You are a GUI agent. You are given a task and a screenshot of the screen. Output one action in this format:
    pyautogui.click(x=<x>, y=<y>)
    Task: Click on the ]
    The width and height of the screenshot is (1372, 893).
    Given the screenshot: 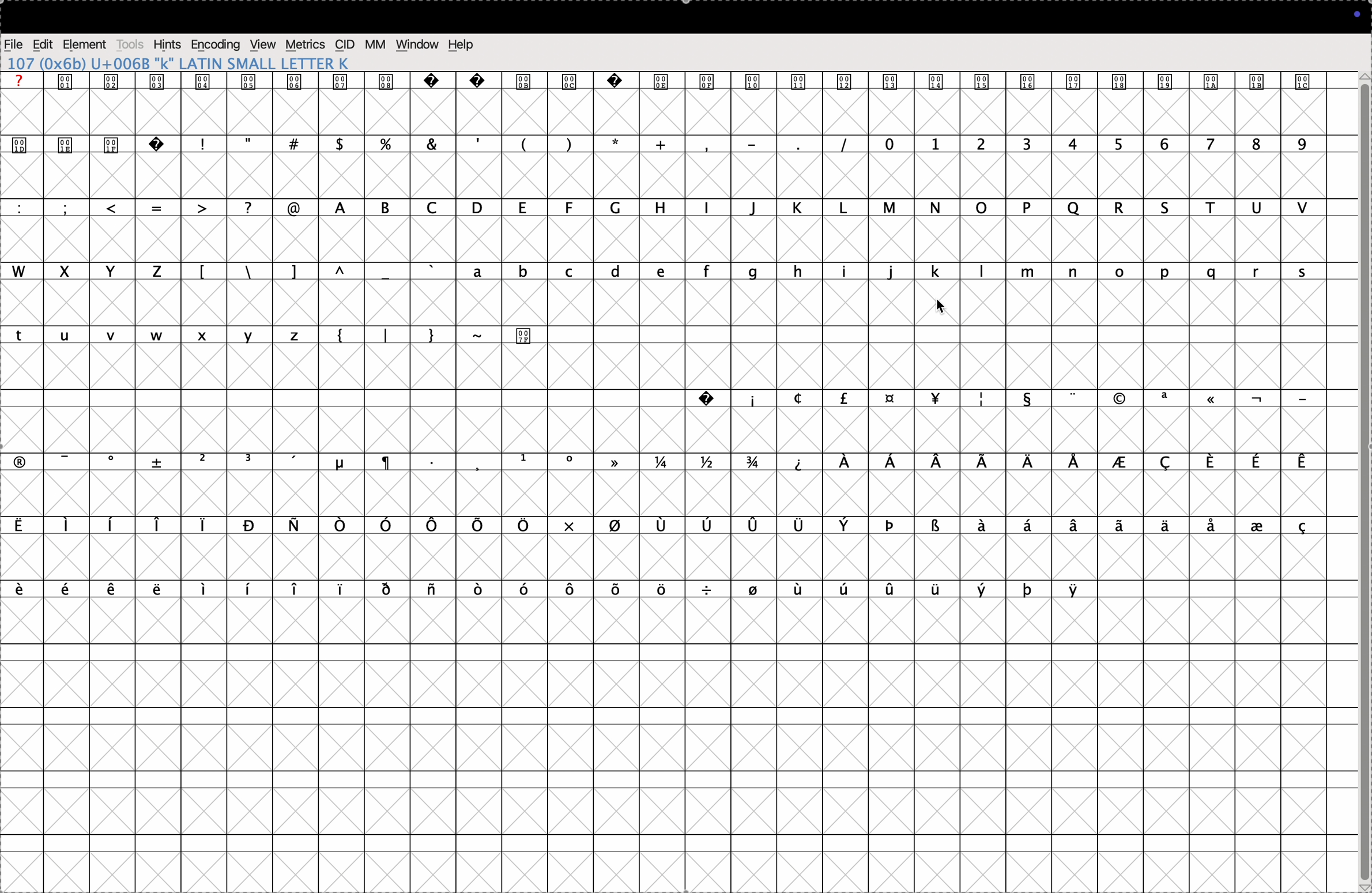 What is the action you would take?
    pyautogui.click(x=300, y=272)
    